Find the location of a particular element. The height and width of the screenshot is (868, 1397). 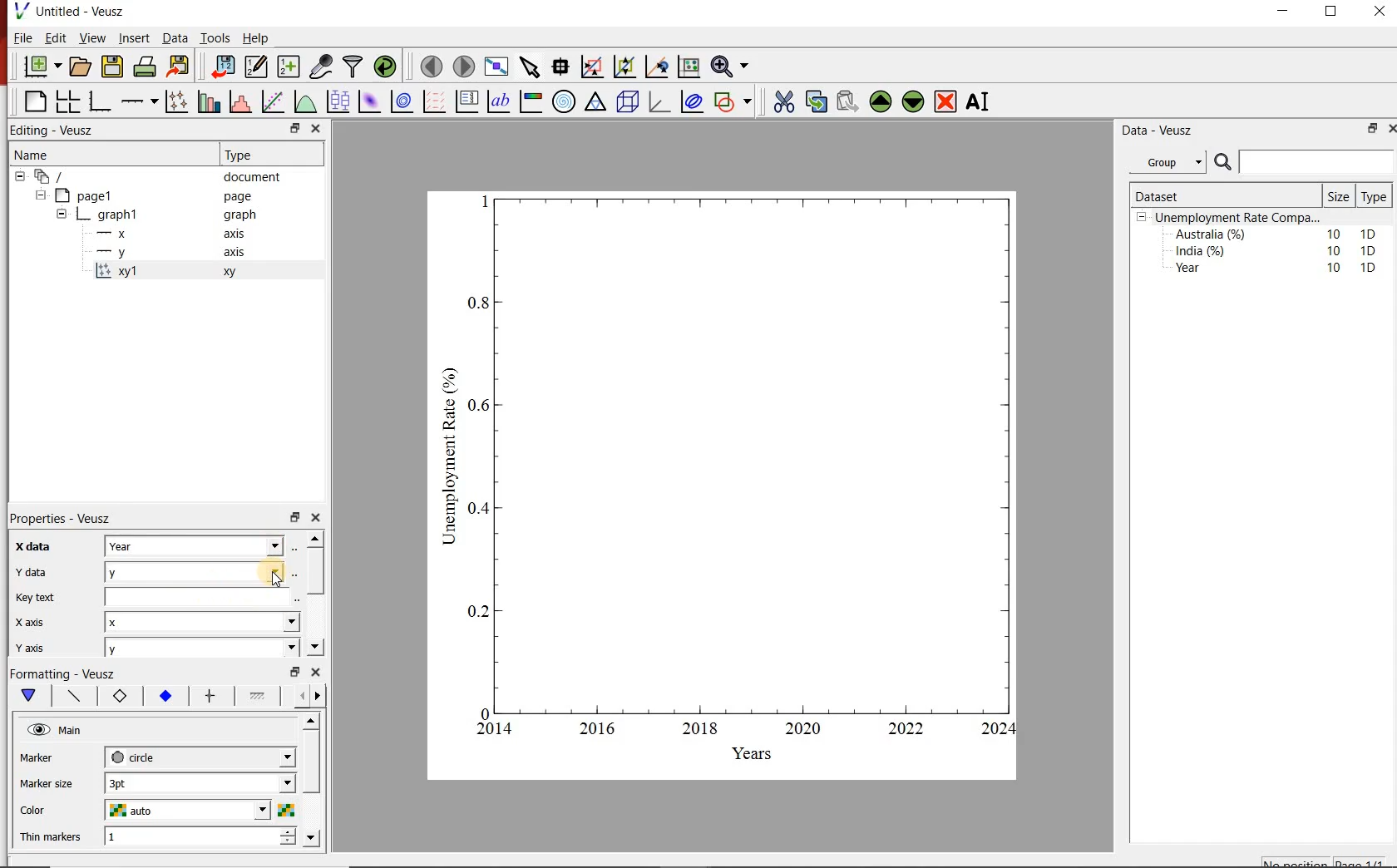

close is located at coordinates (317, 128).